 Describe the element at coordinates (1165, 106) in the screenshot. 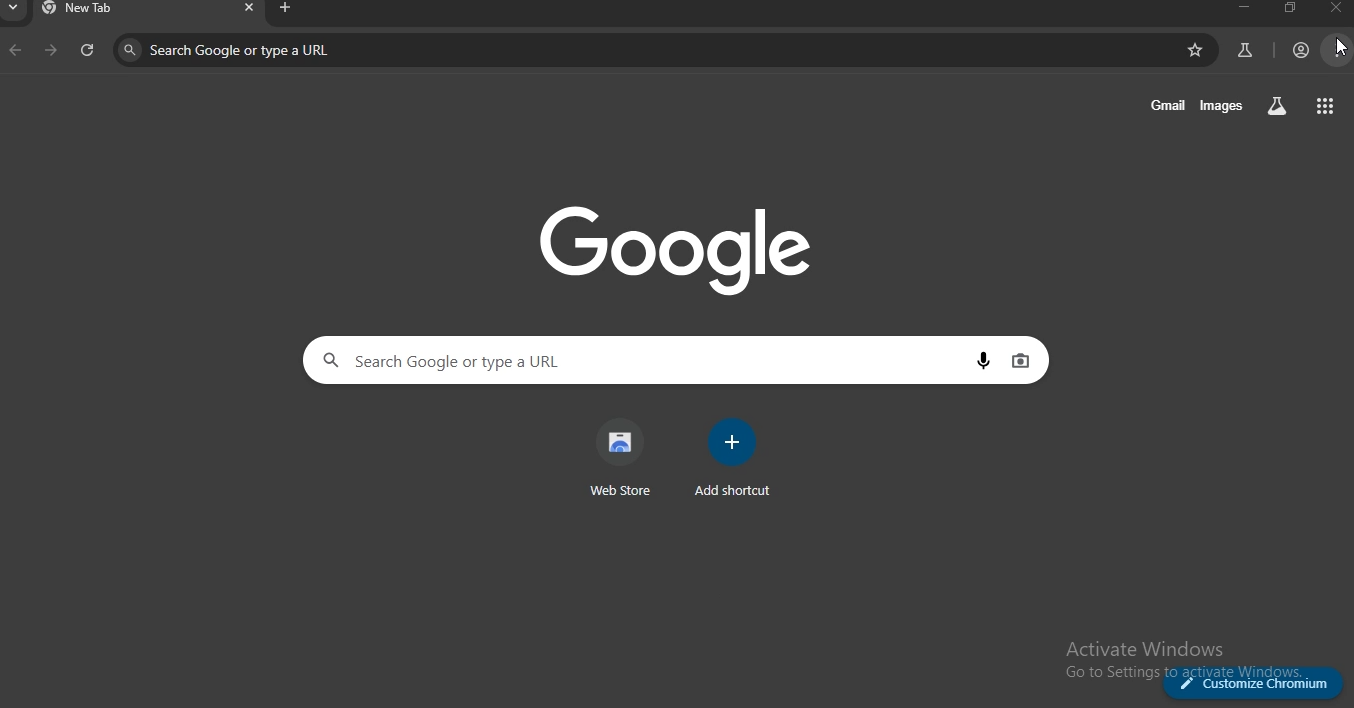

I see `gmail` at that location.